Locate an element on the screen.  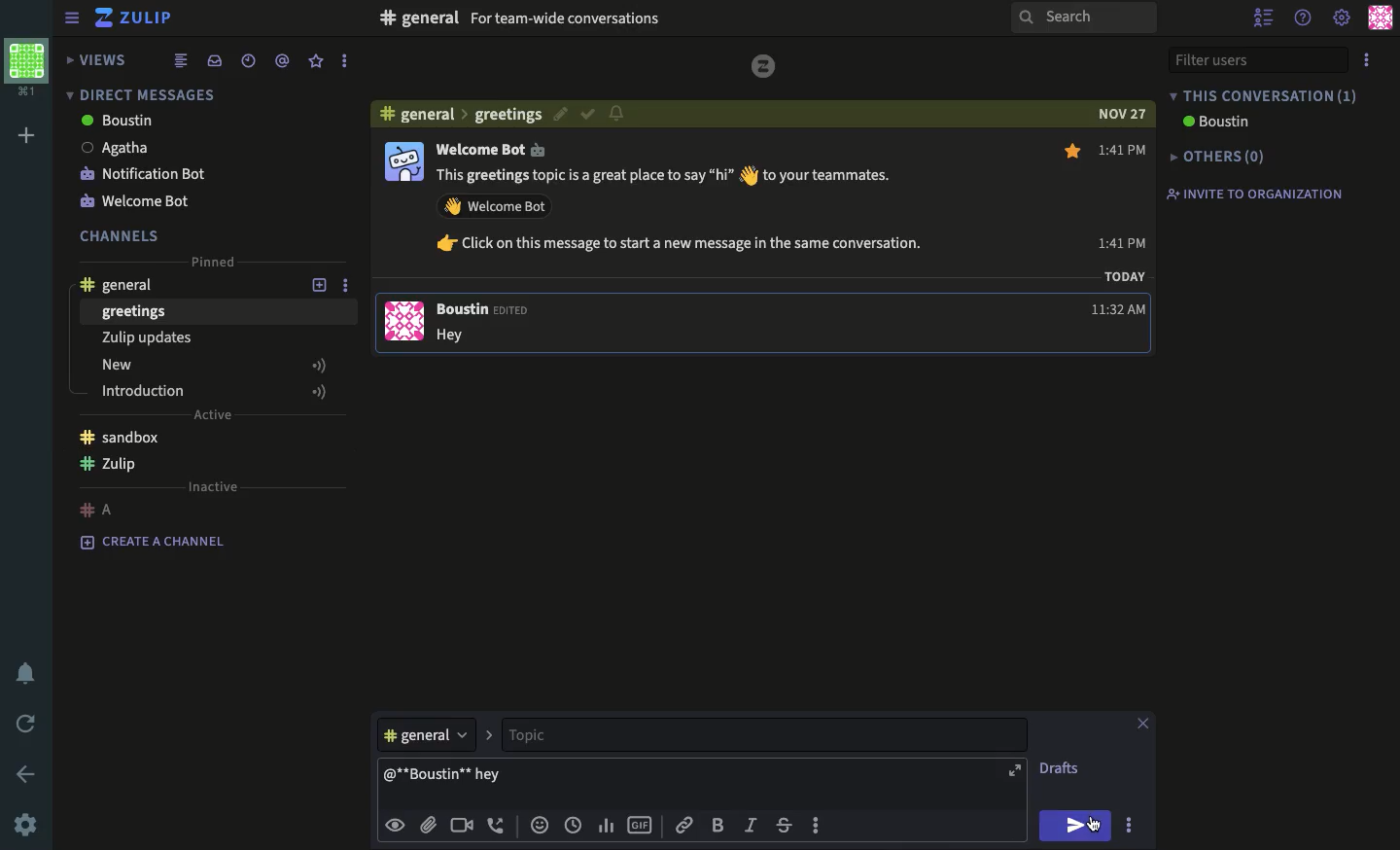
star is located at coordinates (1071, 150).